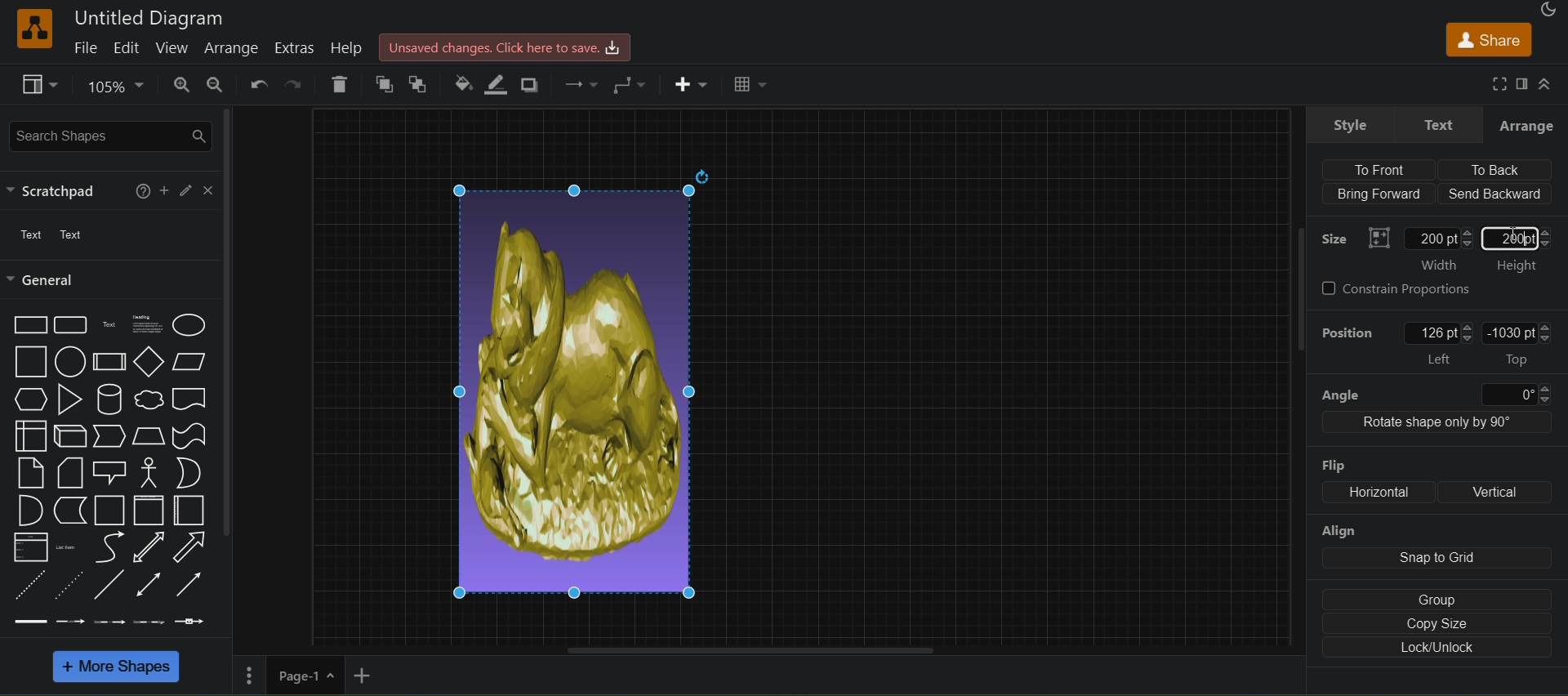 This screenshot has height=696, width=1568. What do you see at coordinates (1499, 170) in the screenshot?
I see `To back (align)` at bounding box center [1499, 170].